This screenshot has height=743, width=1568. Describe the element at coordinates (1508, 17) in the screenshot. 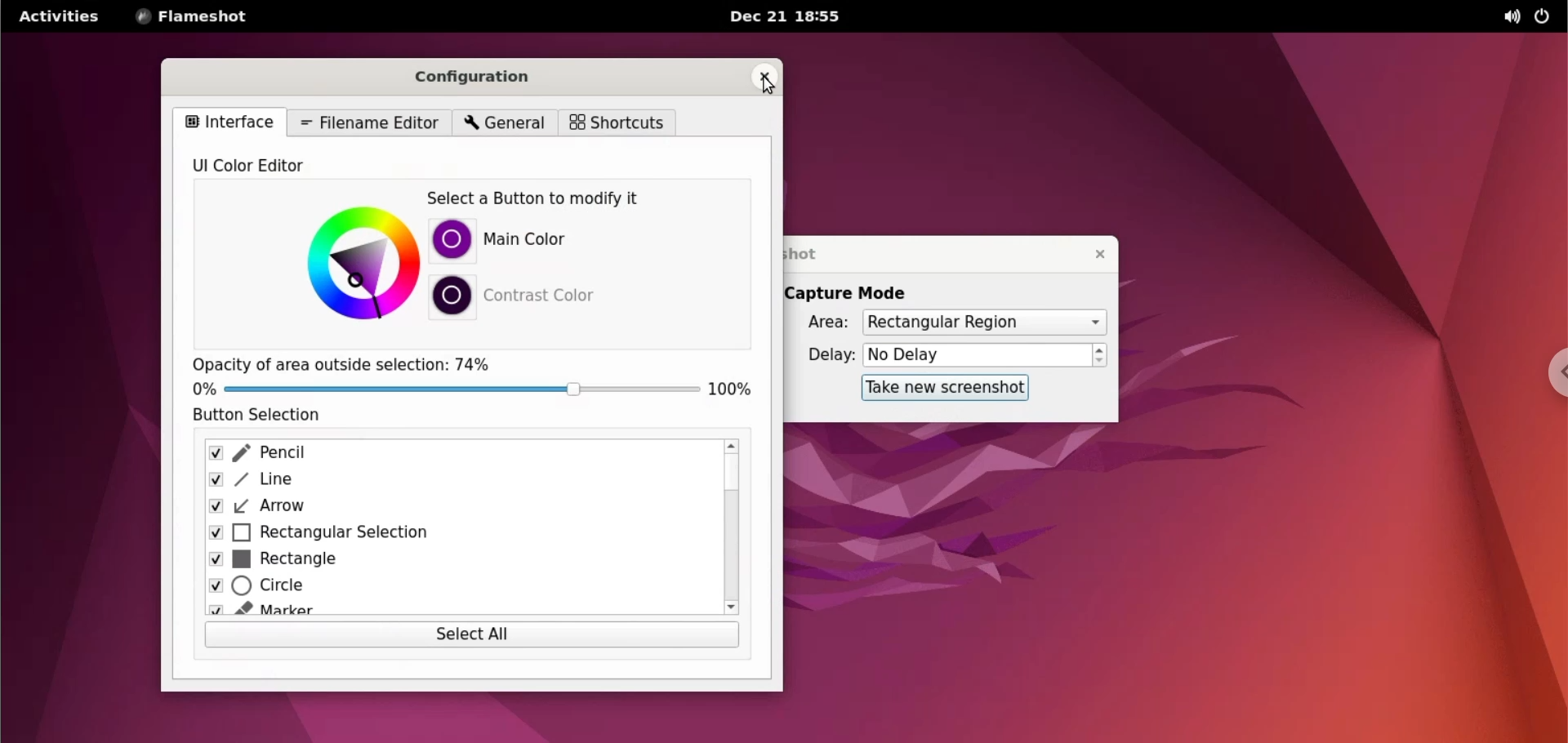

I see `sound options` at that location.